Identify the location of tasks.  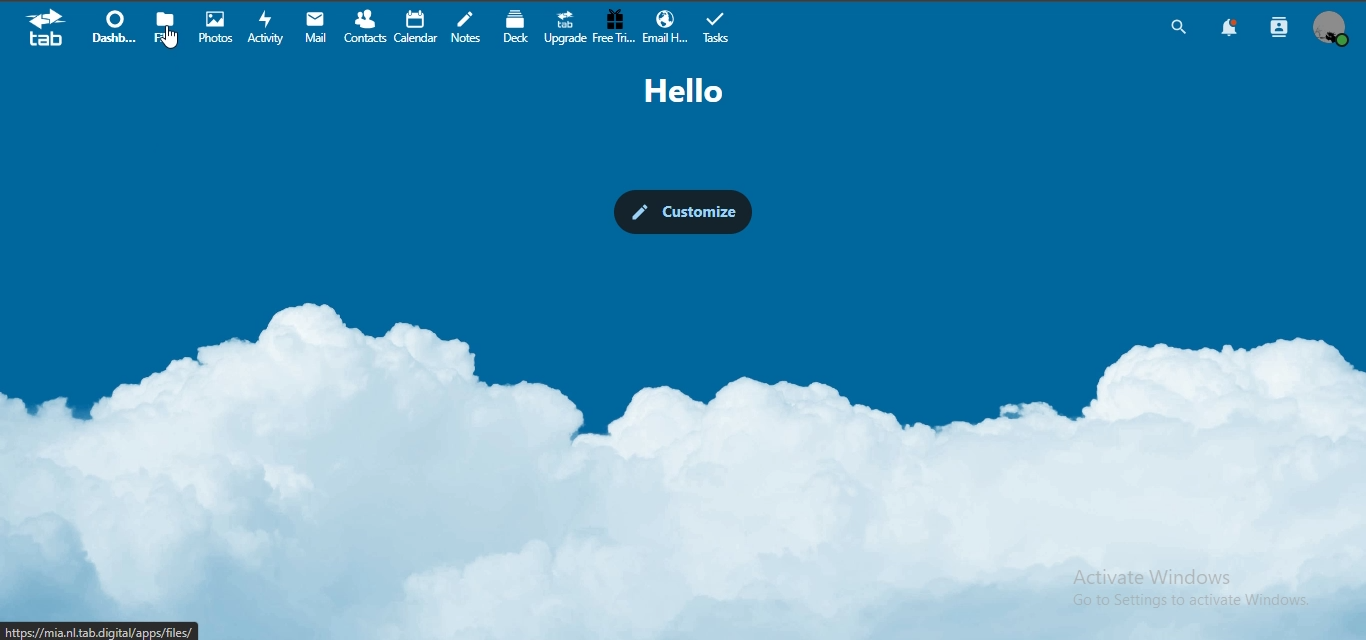
(719, 27).